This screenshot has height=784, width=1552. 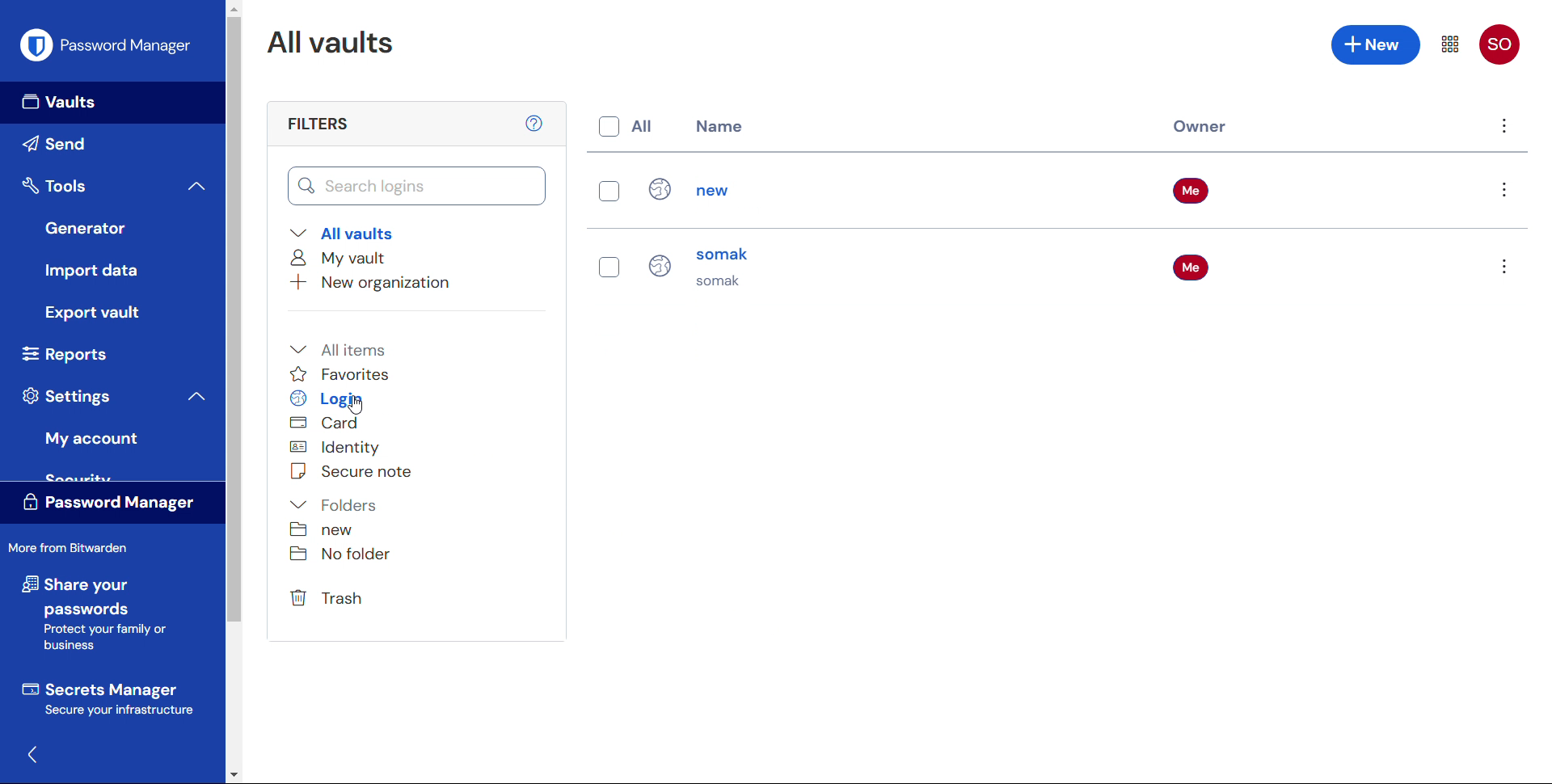 I want to click on Menu , so click(x=1452, y=45).